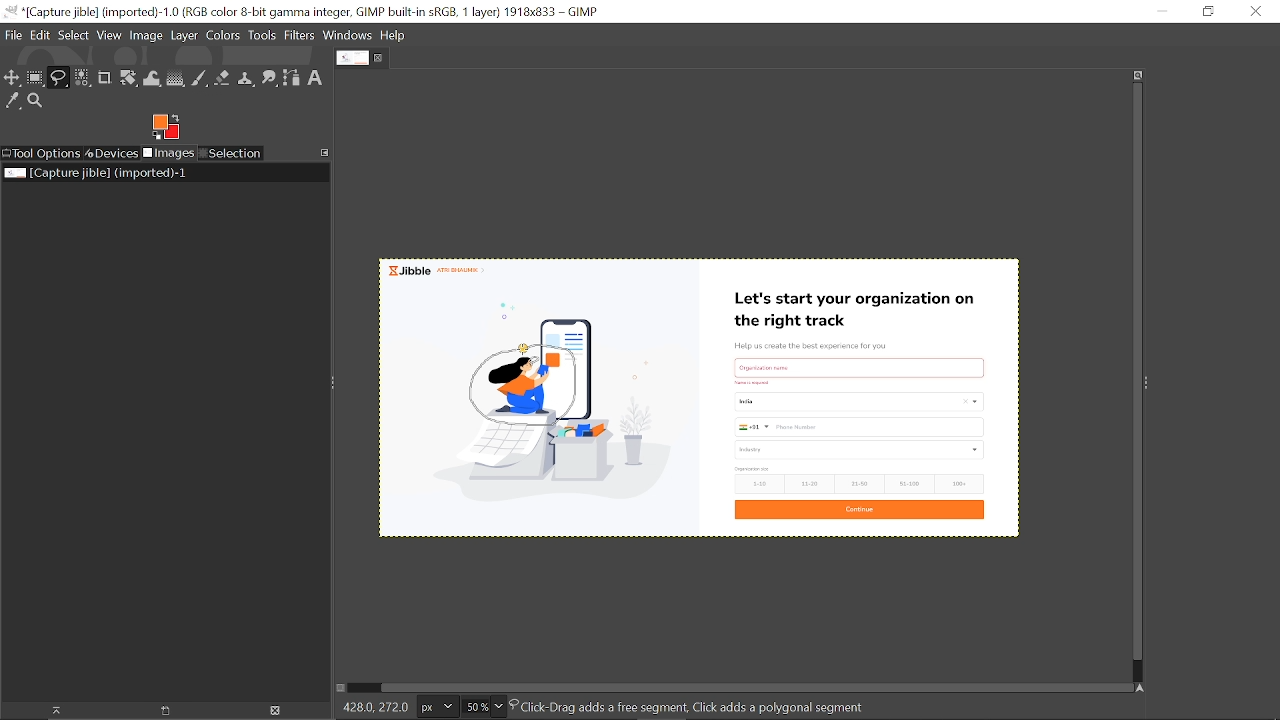 This screenshot has width=1280, height=720. What do you see at coordinates (222, 37) in the screenshot?
I see `Colors` at bounding box center [222, 37].